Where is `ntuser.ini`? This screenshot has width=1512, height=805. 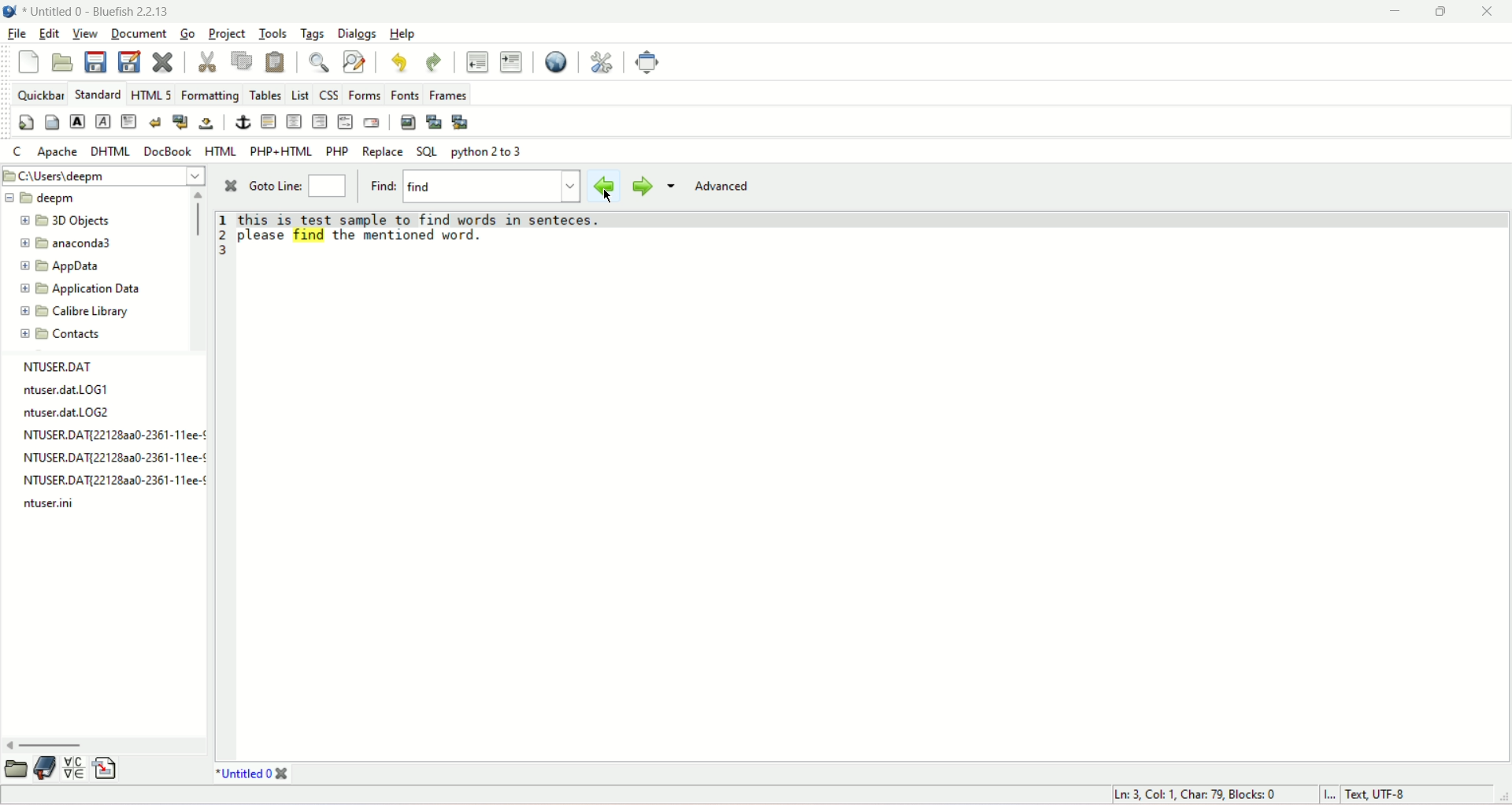 ntuser.ini is located at coordinates (52, 507).